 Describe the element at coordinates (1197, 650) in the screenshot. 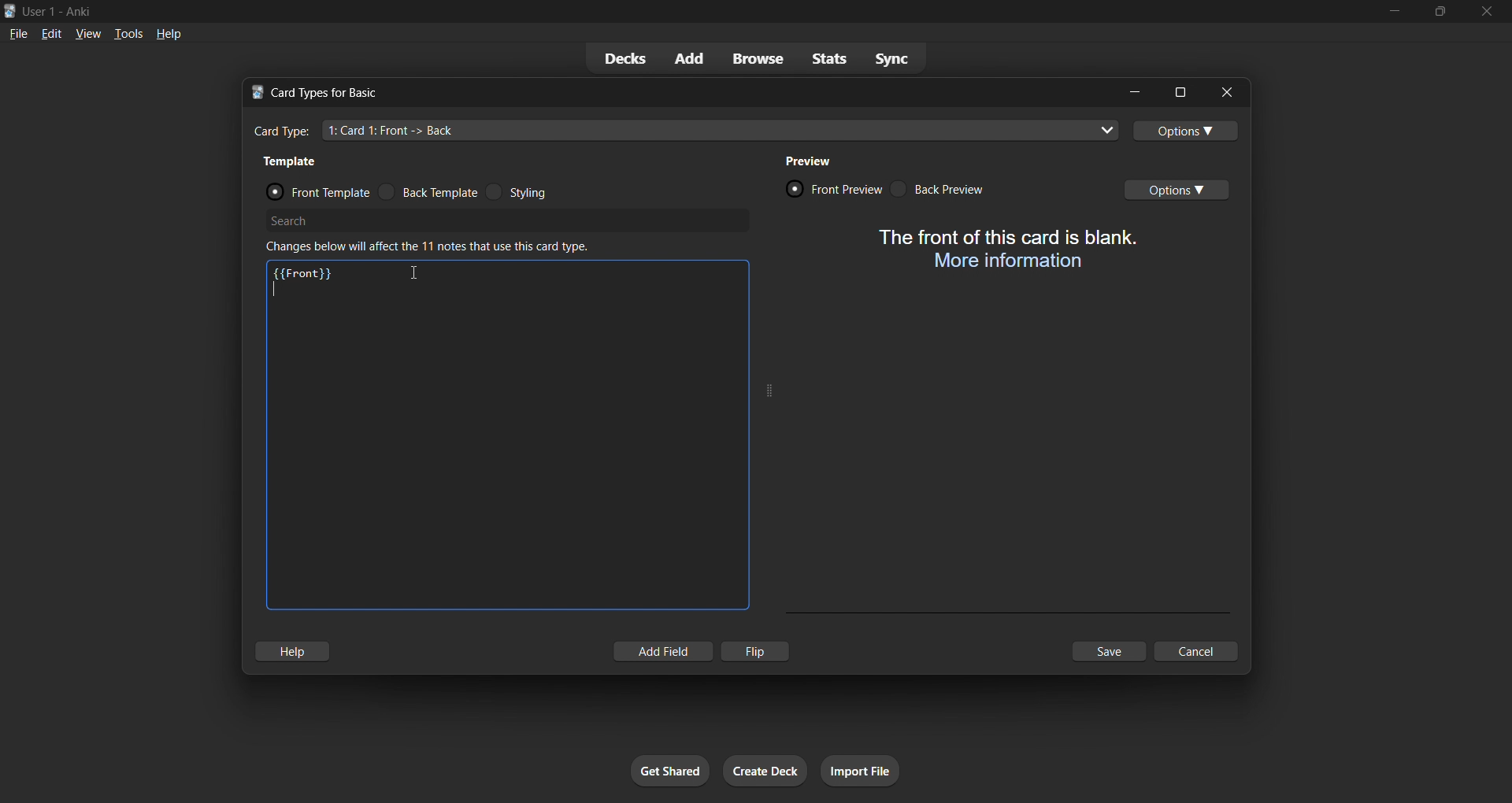

I see `cancel` at that location.